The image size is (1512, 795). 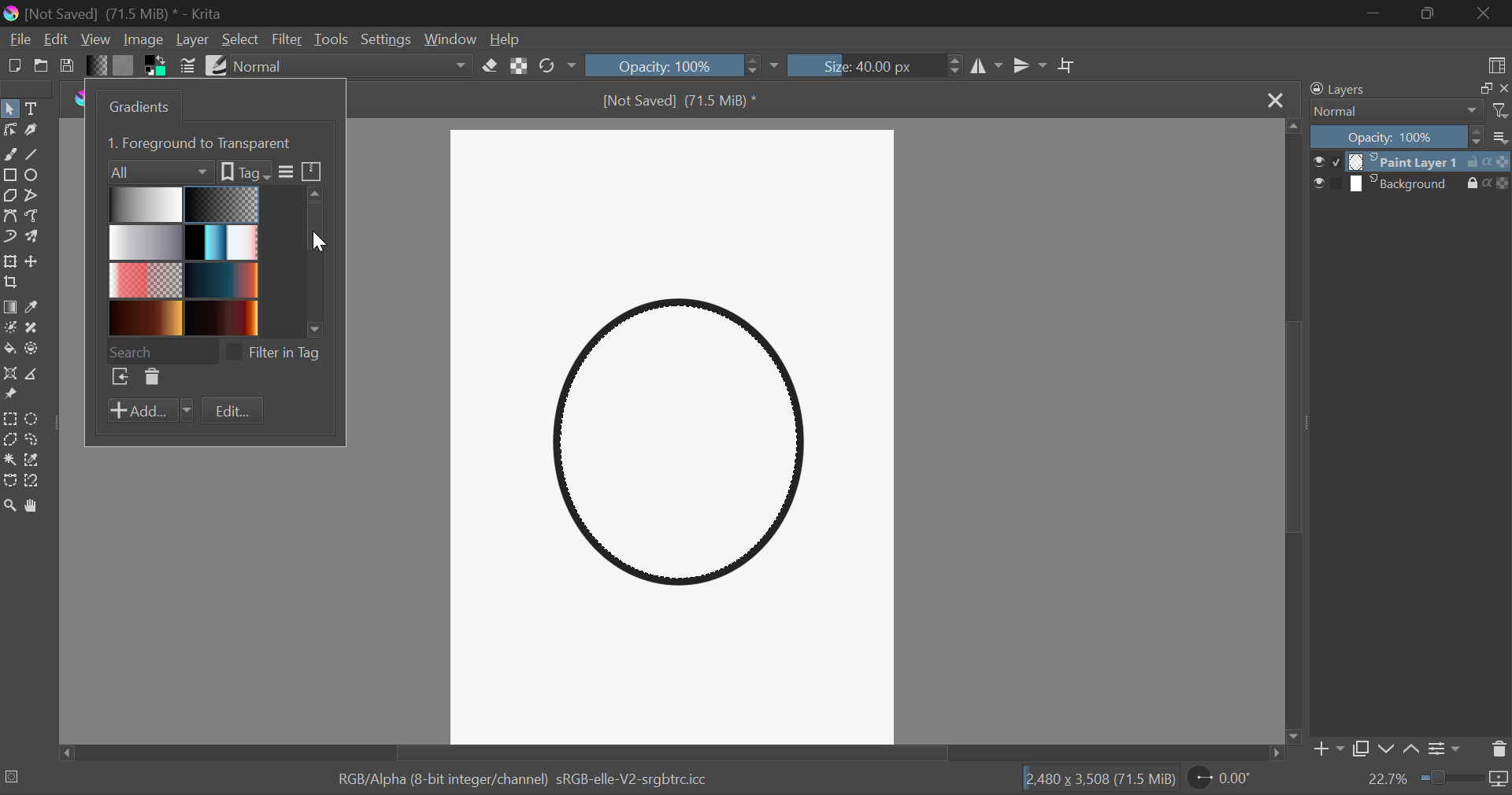 What do you see at coordinates (287, 39) in the screenshot?
I see `Filter` at bounding box center [287, 39].